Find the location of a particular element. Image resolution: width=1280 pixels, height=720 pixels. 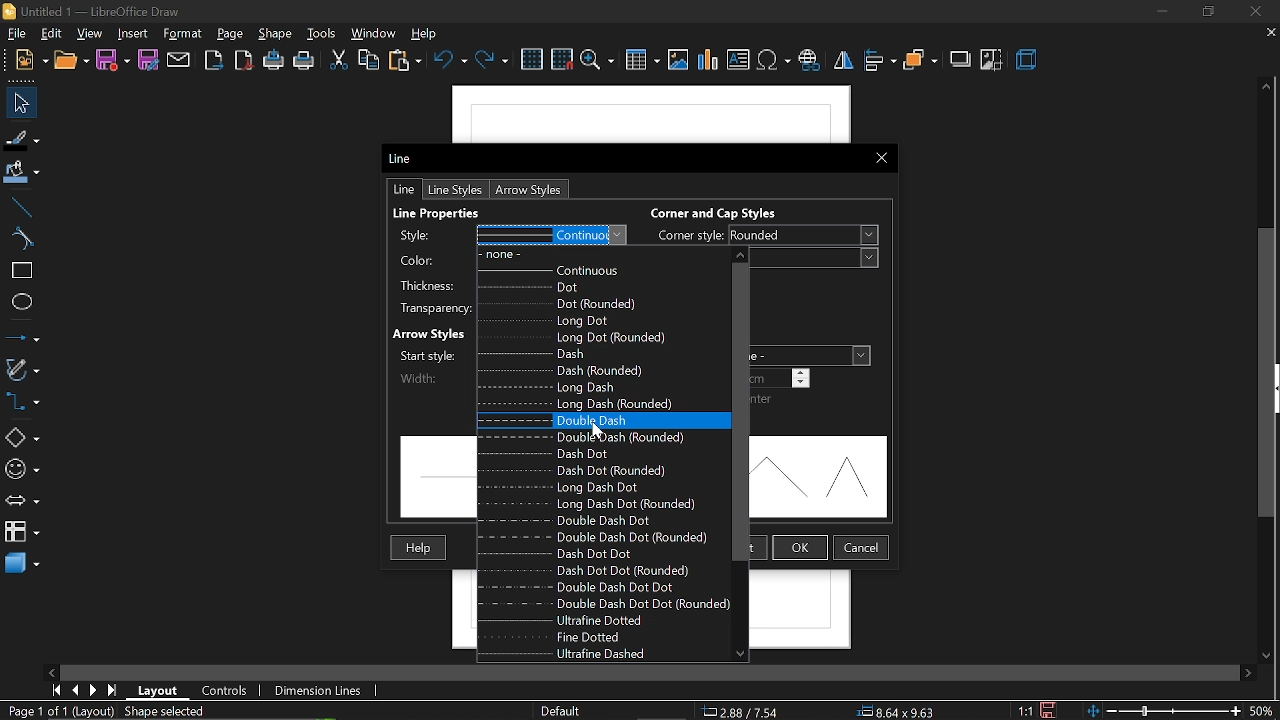

next page is located at coordinates (94, 689).